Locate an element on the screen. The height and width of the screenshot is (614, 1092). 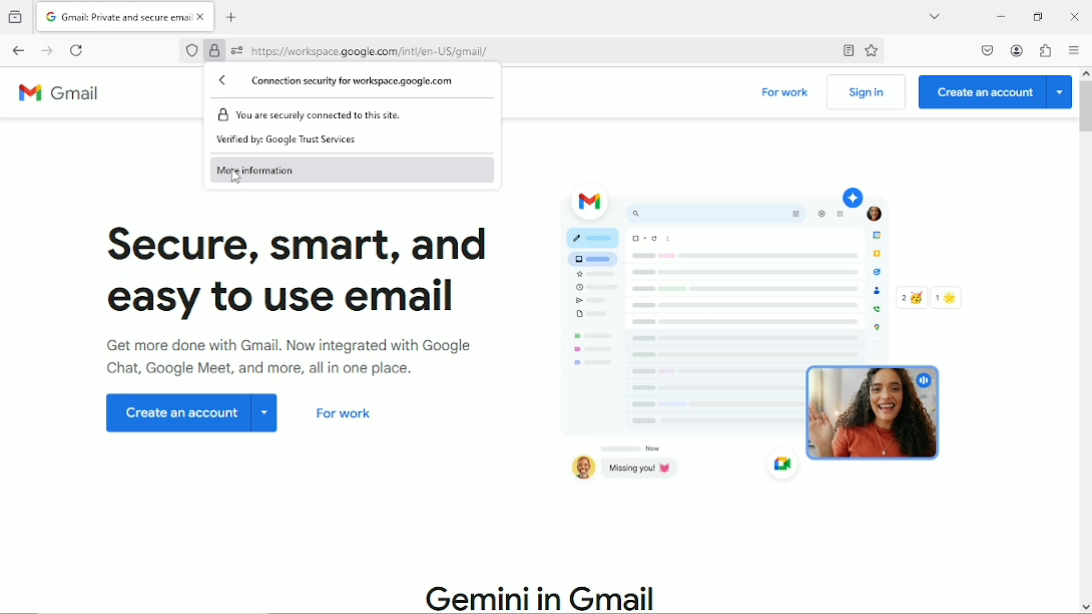
Close is located at coordinates (1073, 14).